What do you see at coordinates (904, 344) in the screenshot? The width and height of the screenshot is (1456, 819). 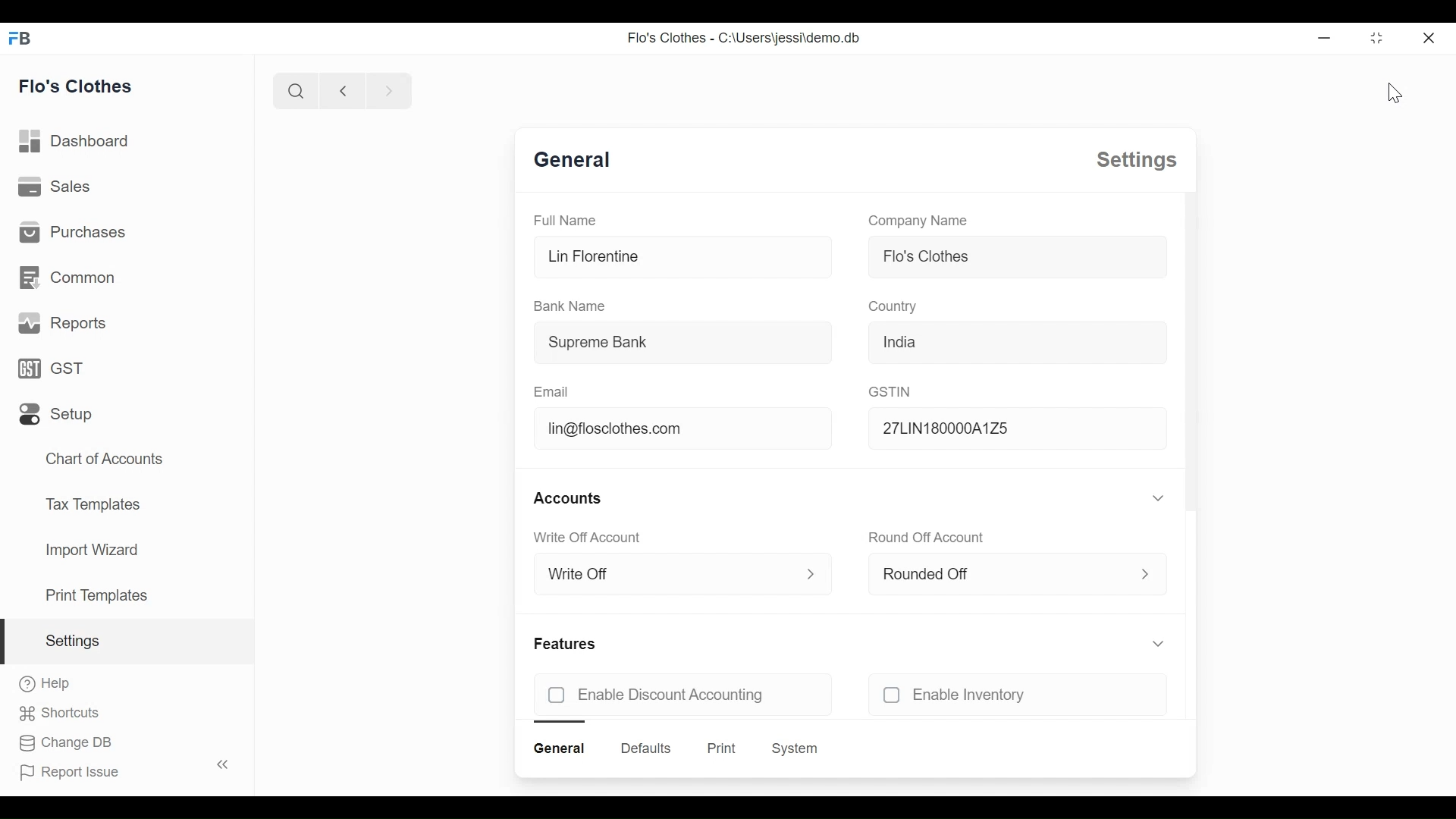 I see `India` at bounding box center [904, 344].